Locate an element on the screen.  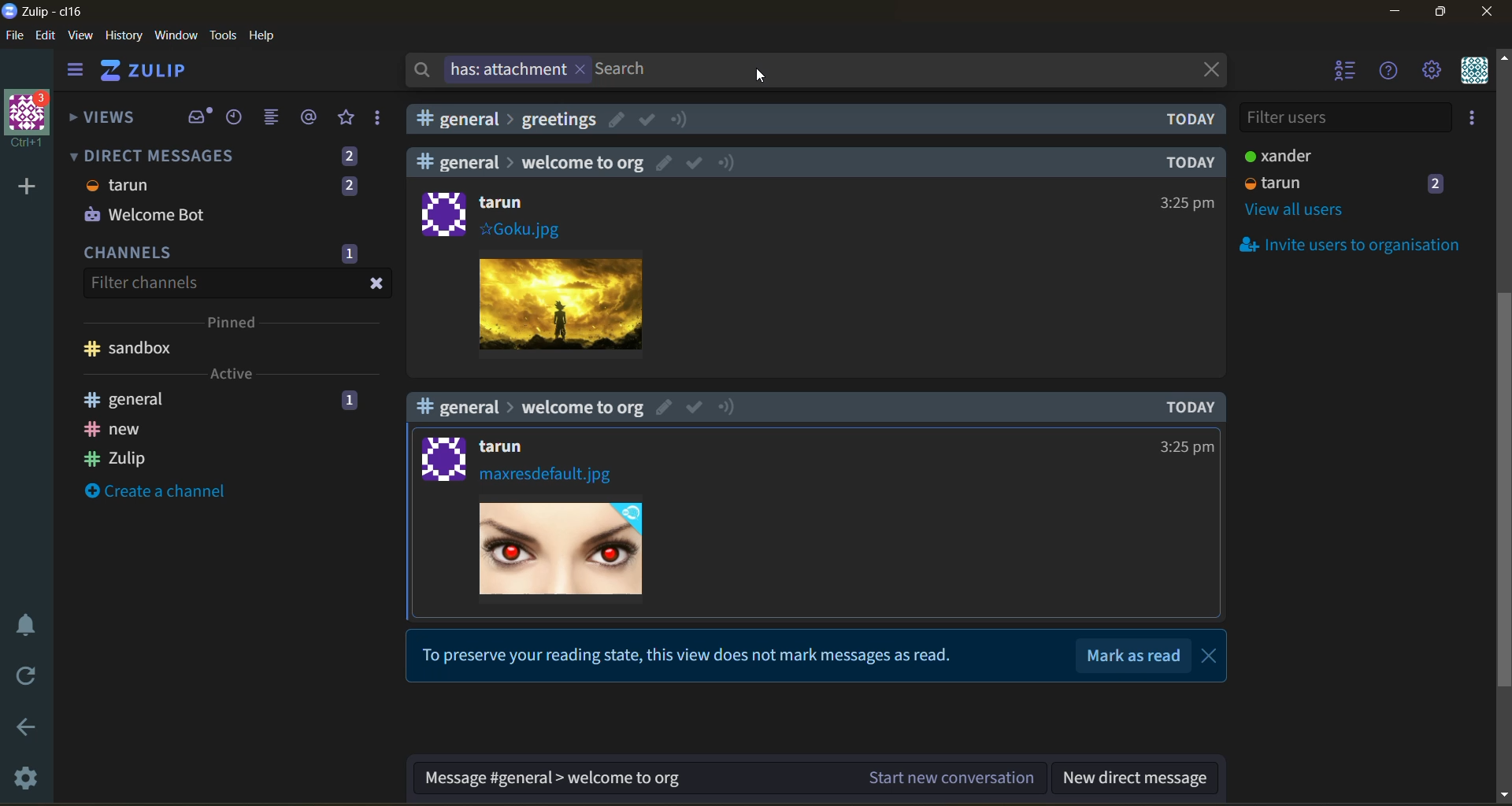
invite users to organisation is located at coordinates (1343, 243).